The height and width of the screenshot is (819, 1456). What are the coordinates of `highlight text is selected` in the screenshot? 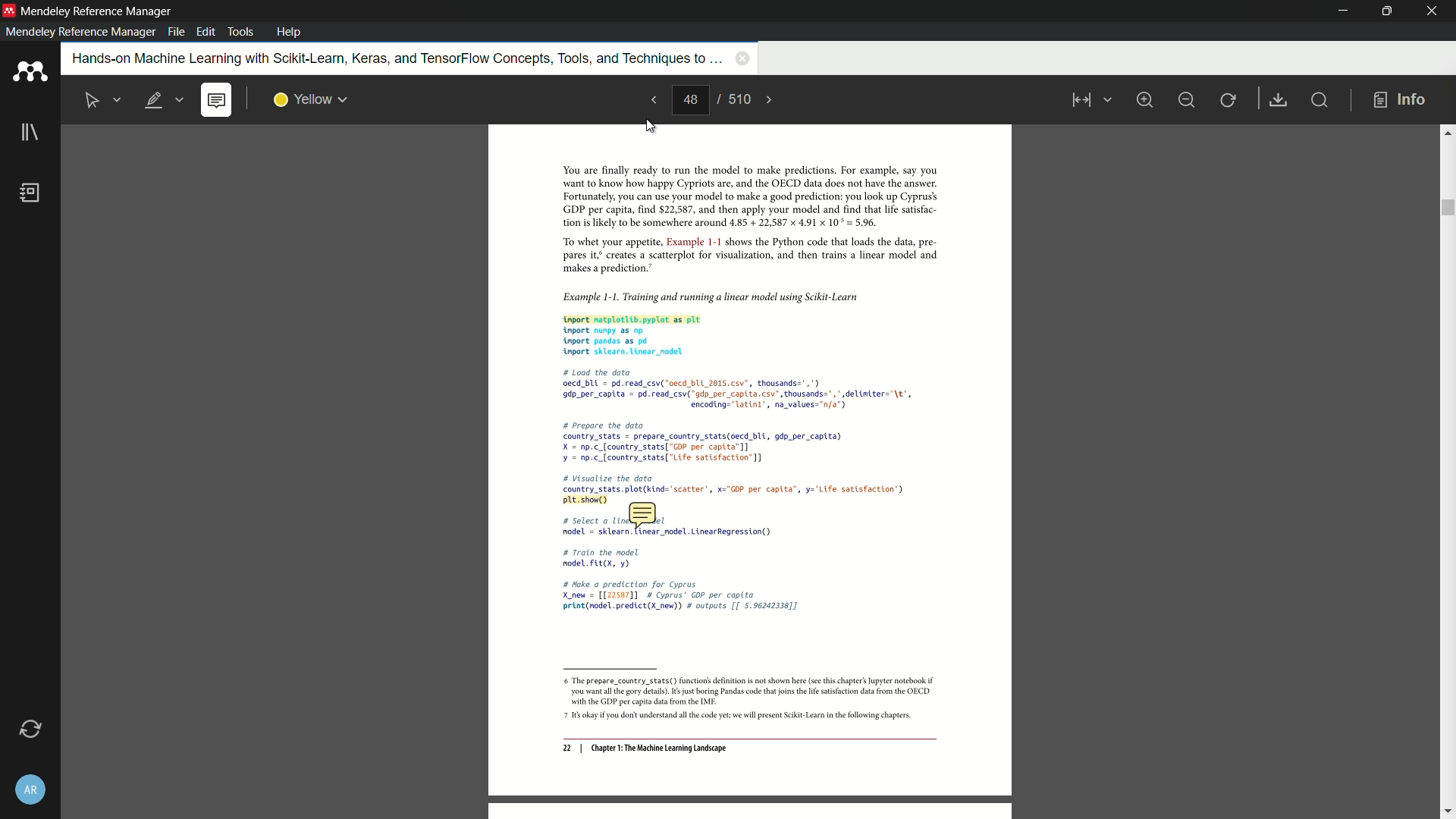 It's located at (163, 101).